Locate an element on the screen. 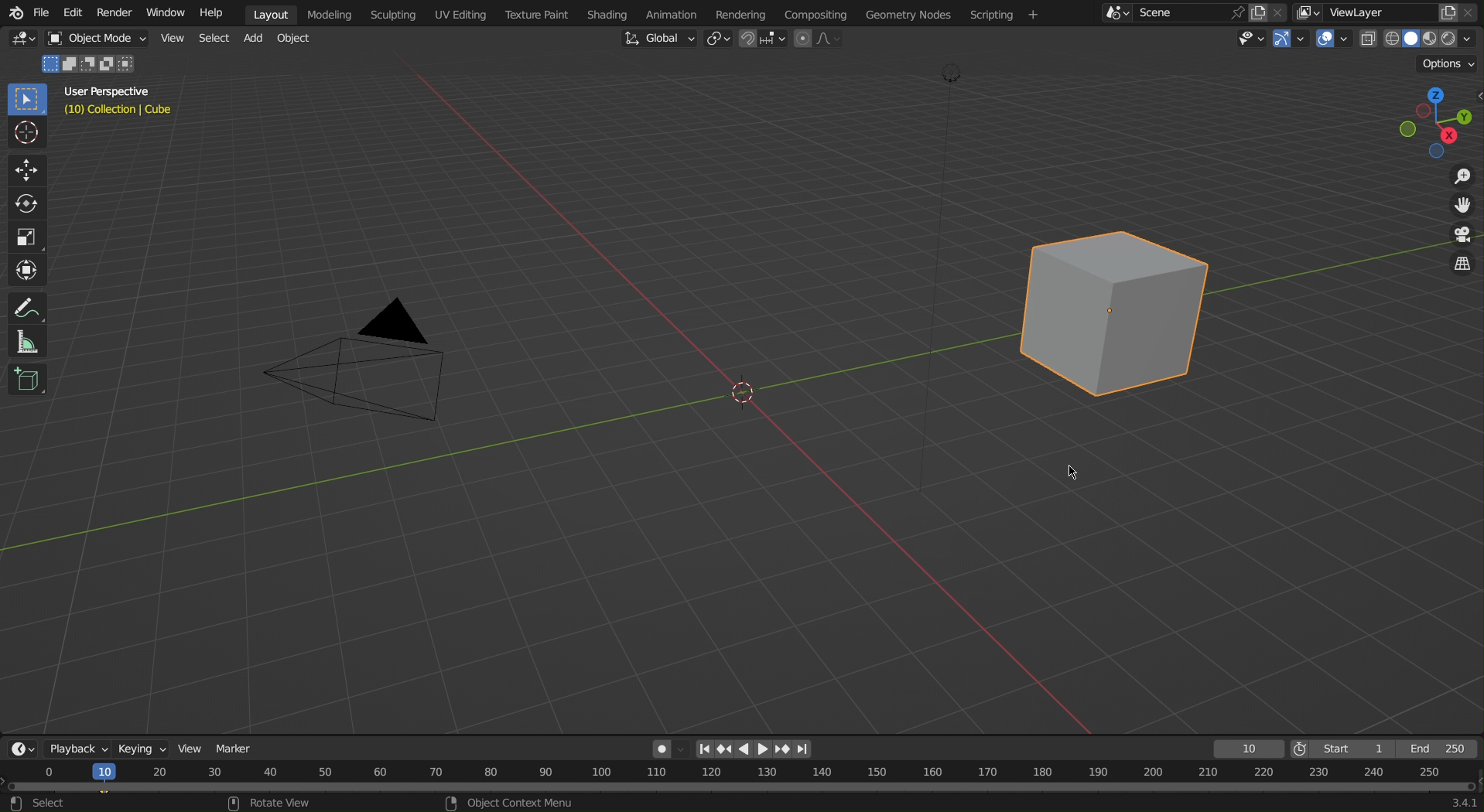  Show Overlays is located at coordinates (1334, 39).